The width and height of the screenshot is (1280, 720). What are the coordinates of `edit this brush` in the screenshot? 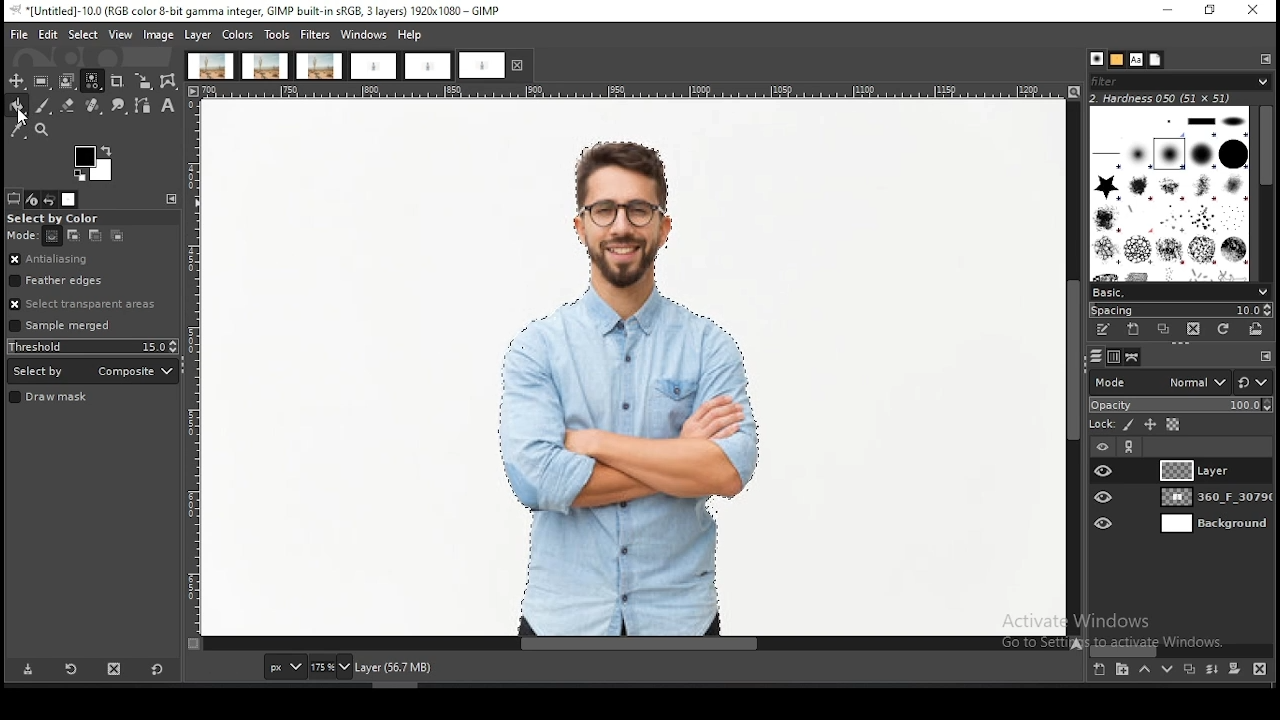 It's located at (1102, 330).